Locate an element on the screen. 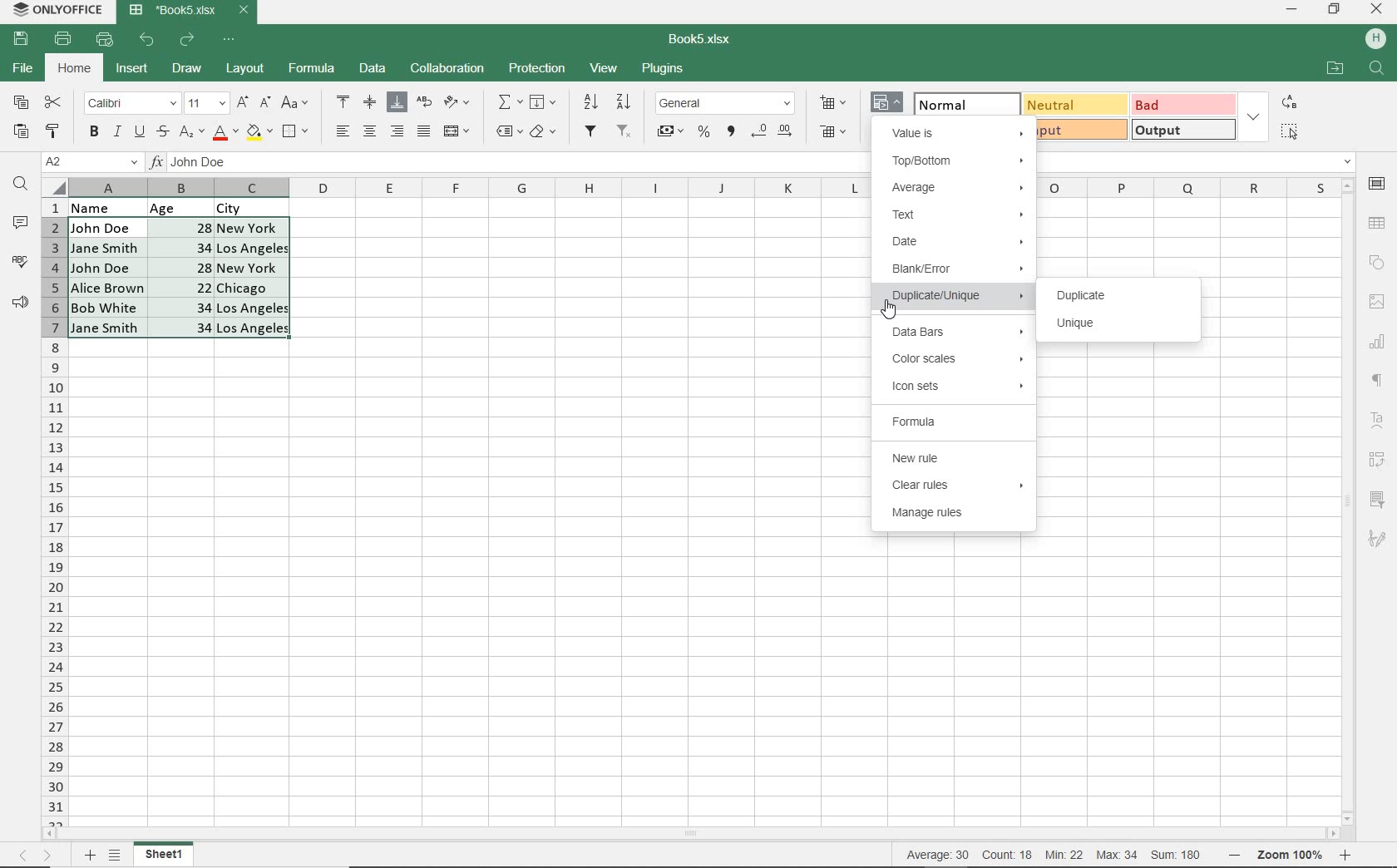 The image size is (1397, 868). SORTASCENDING is located at coordinates (592, 102).